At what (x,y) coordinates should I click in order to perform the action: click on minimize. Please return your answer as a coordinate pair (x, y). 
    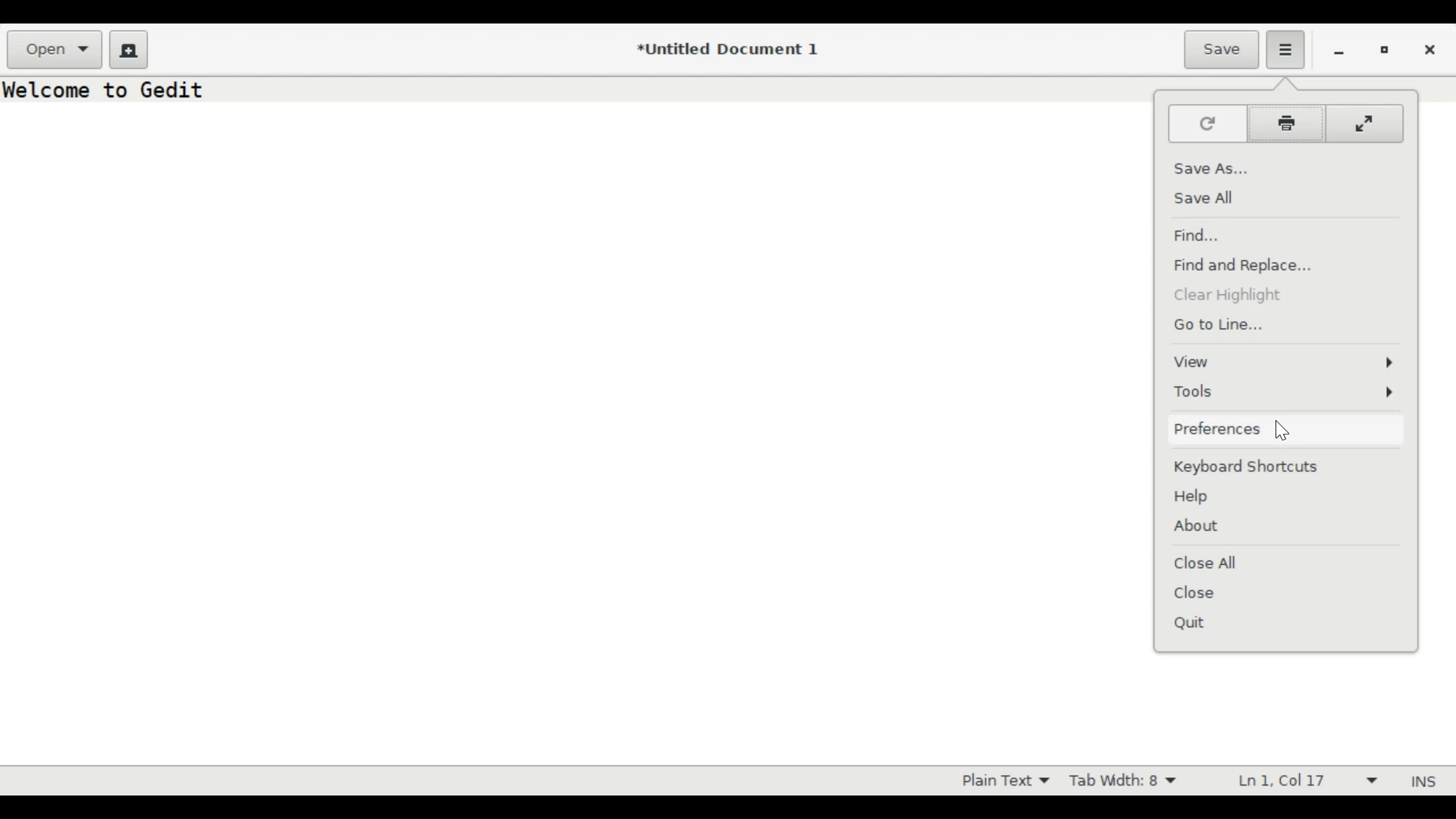
    Looking at the image, I should click on (1336, 50).